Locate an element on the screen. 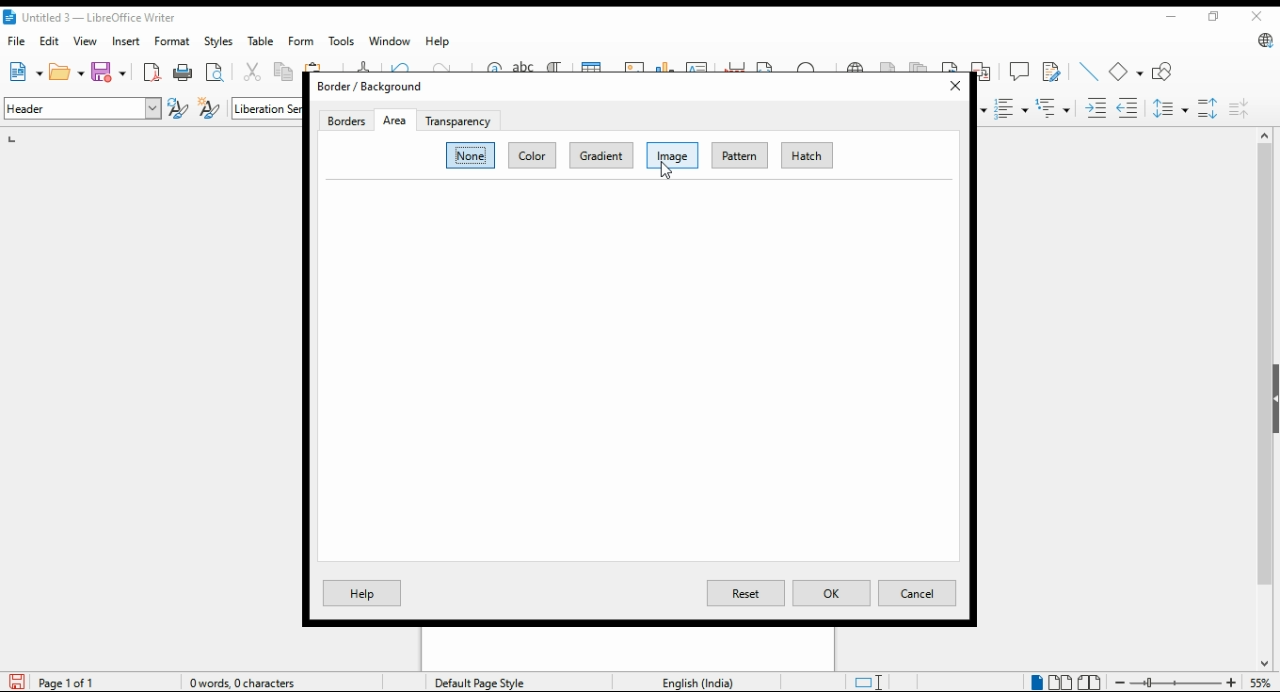 The height and width of the screenshot is (692, 1280). set line spacing is located at coordinates (1172, 108).